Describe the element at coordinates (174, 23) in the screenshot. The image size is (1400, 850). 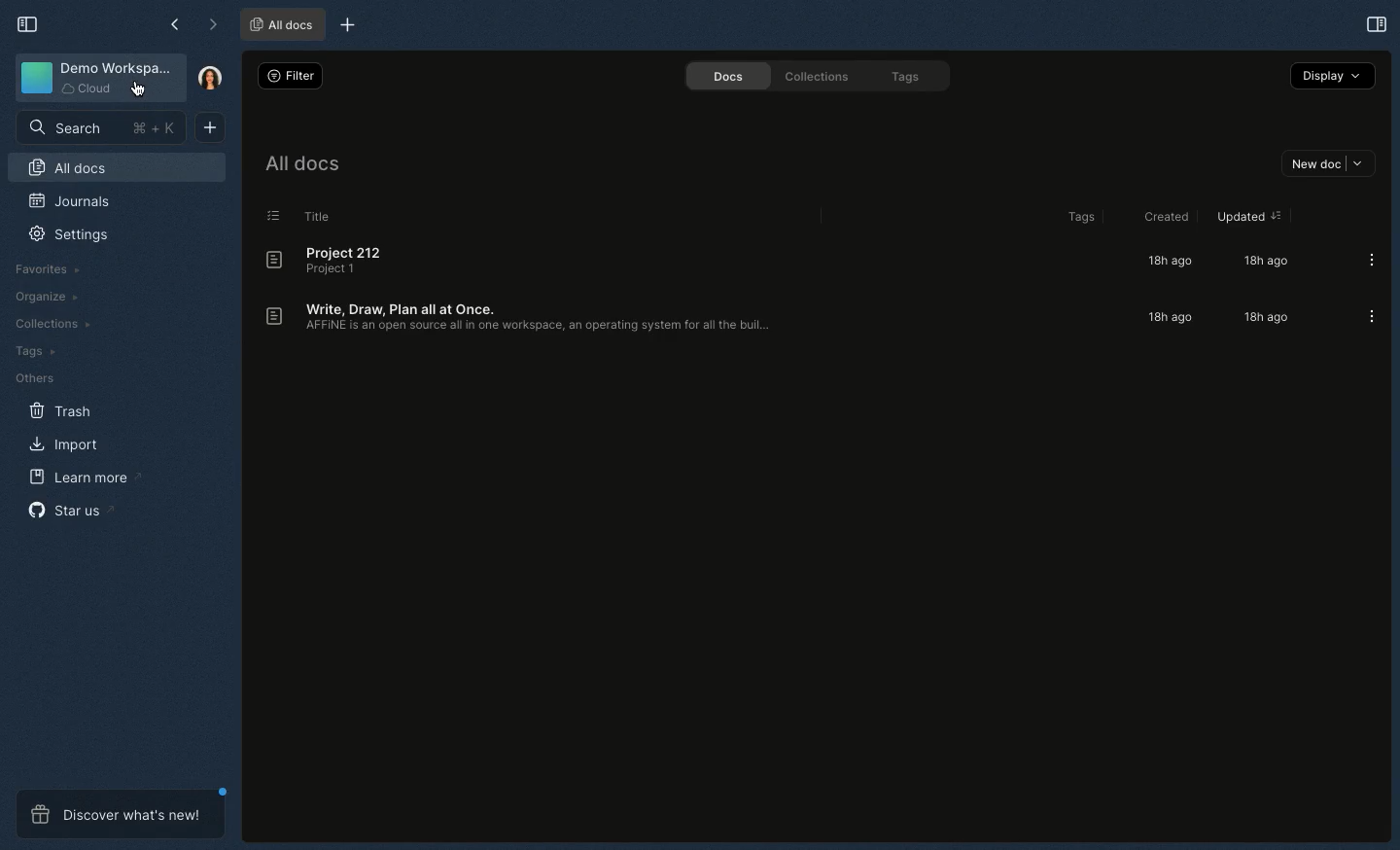
I see `Back` at that location.